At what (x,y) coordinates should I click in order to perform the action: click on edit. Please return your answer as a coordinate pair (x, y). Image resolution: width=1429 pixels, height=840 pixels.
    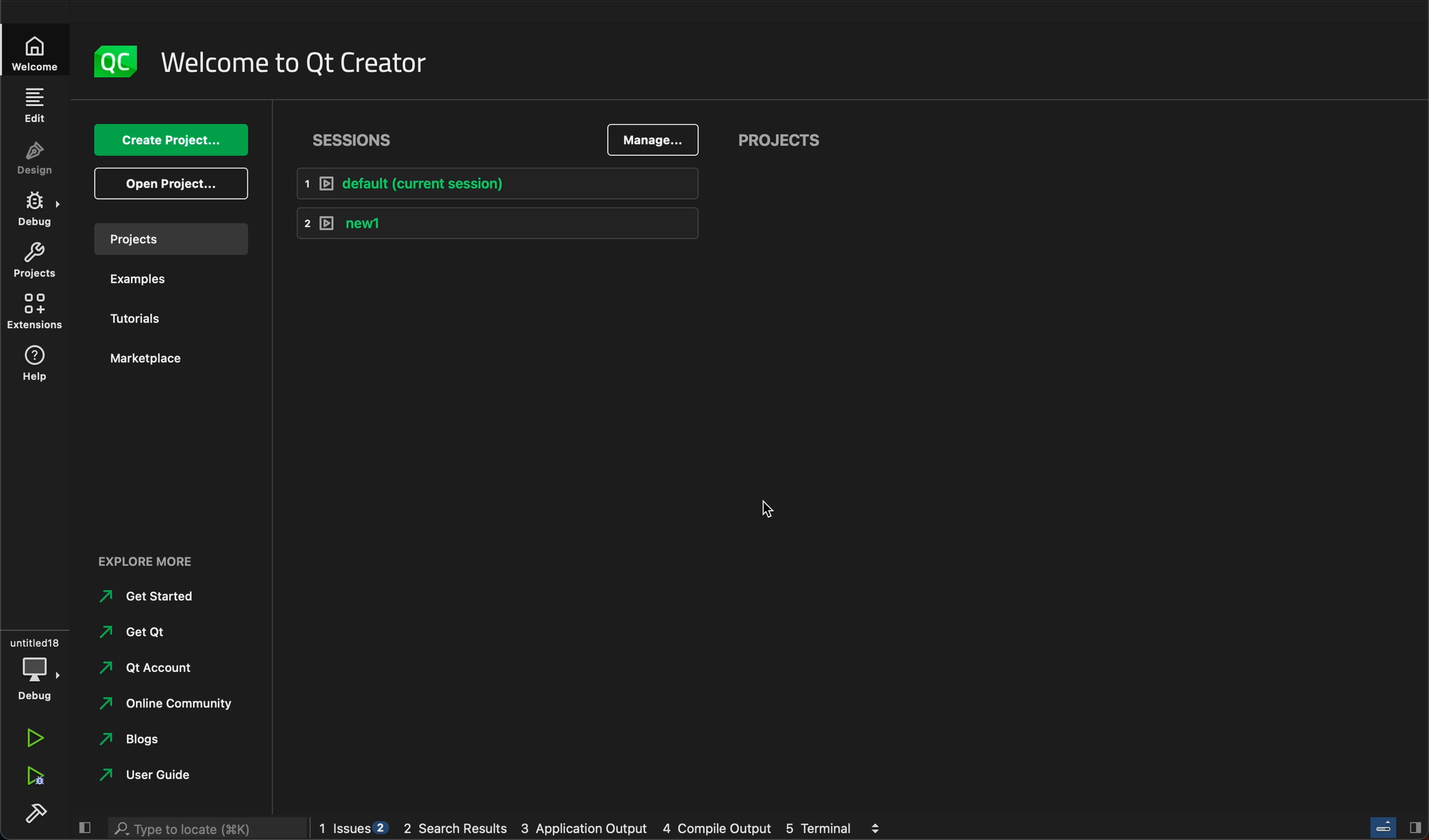
    Looking at the image, I should click on (36, 109).